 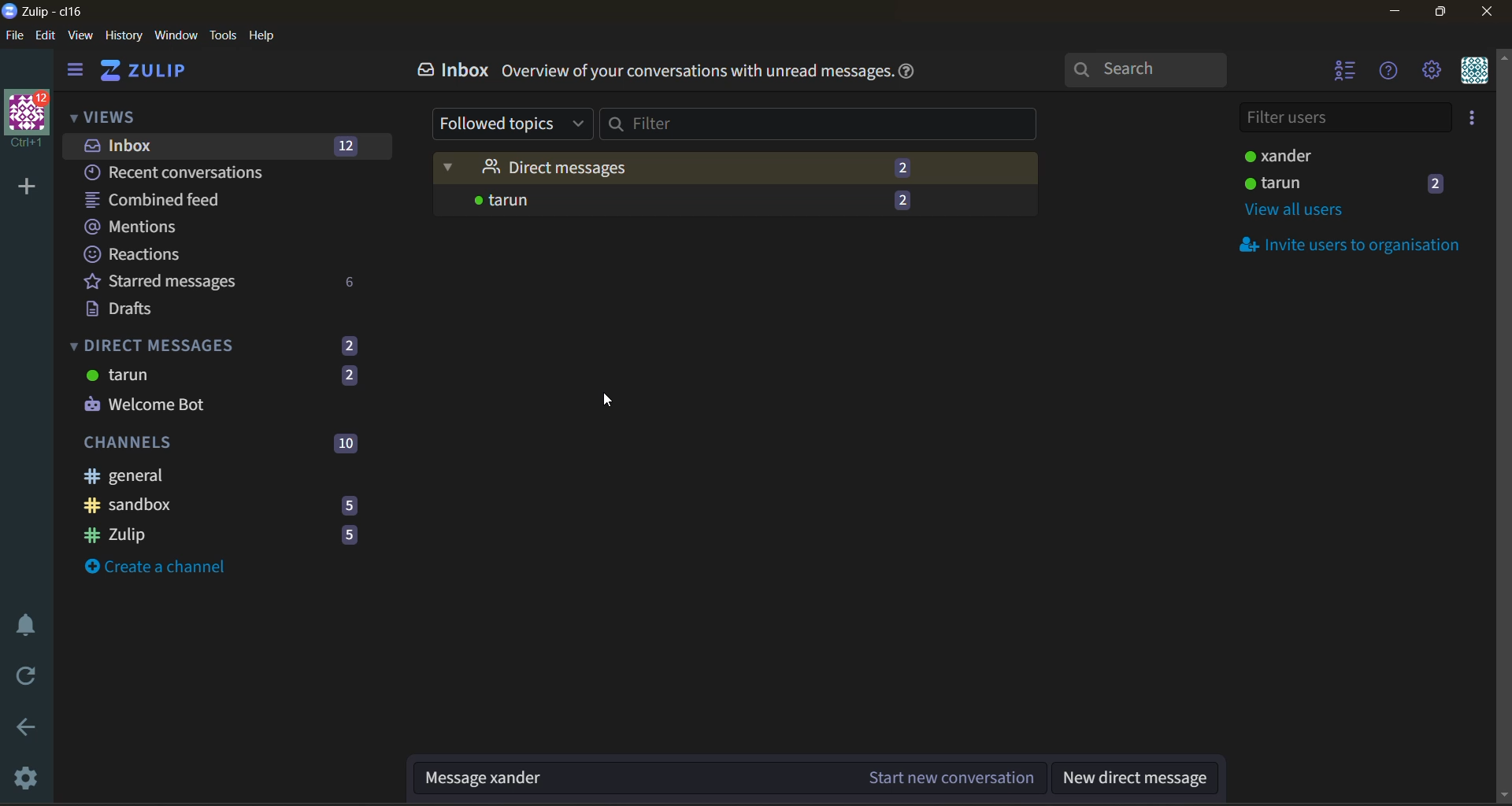 I want to click on filter, so click(x=823, y=126).